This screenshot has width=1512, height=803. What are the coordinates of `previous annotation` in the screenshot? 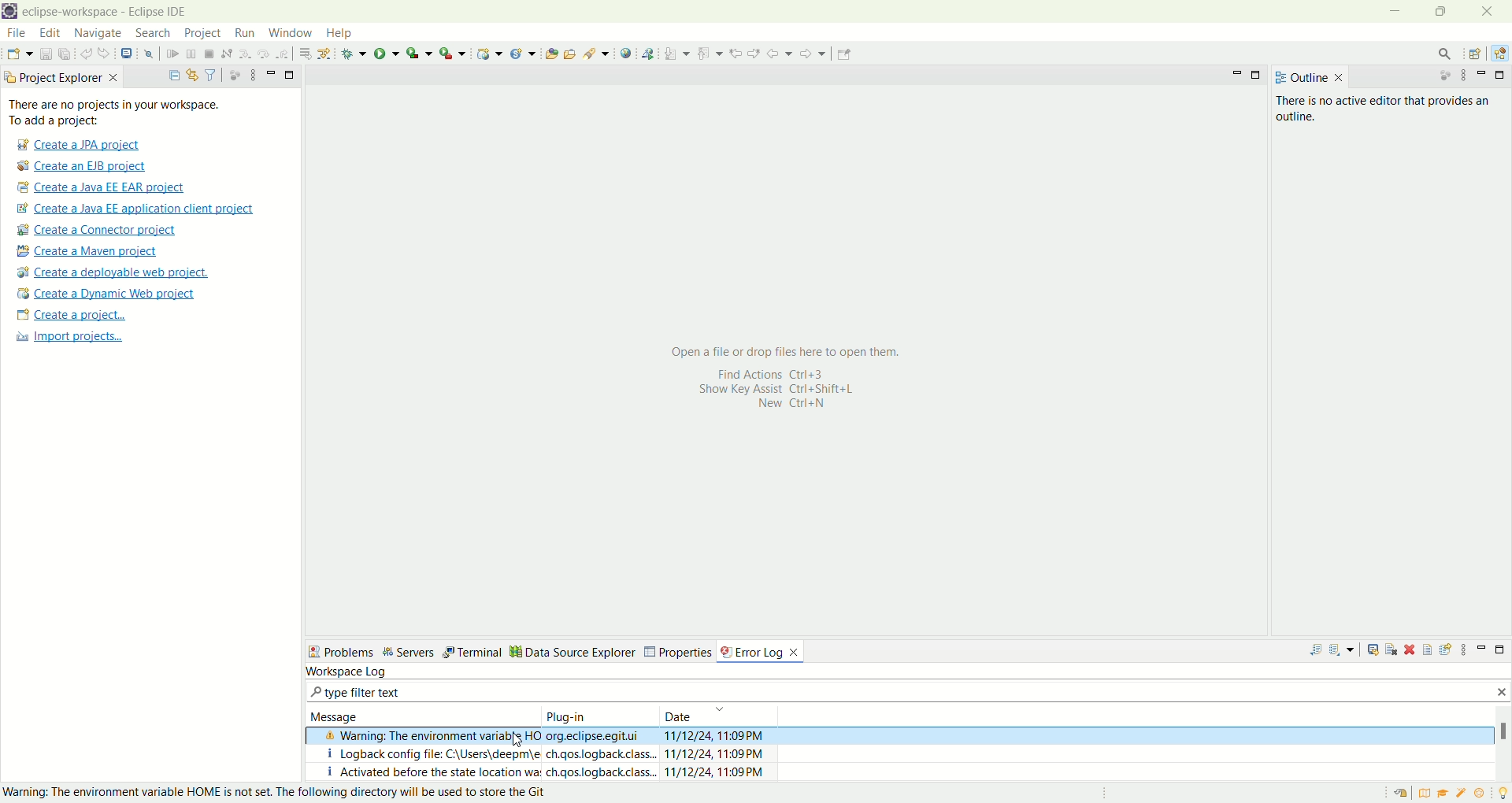 It's located at (708, 52).